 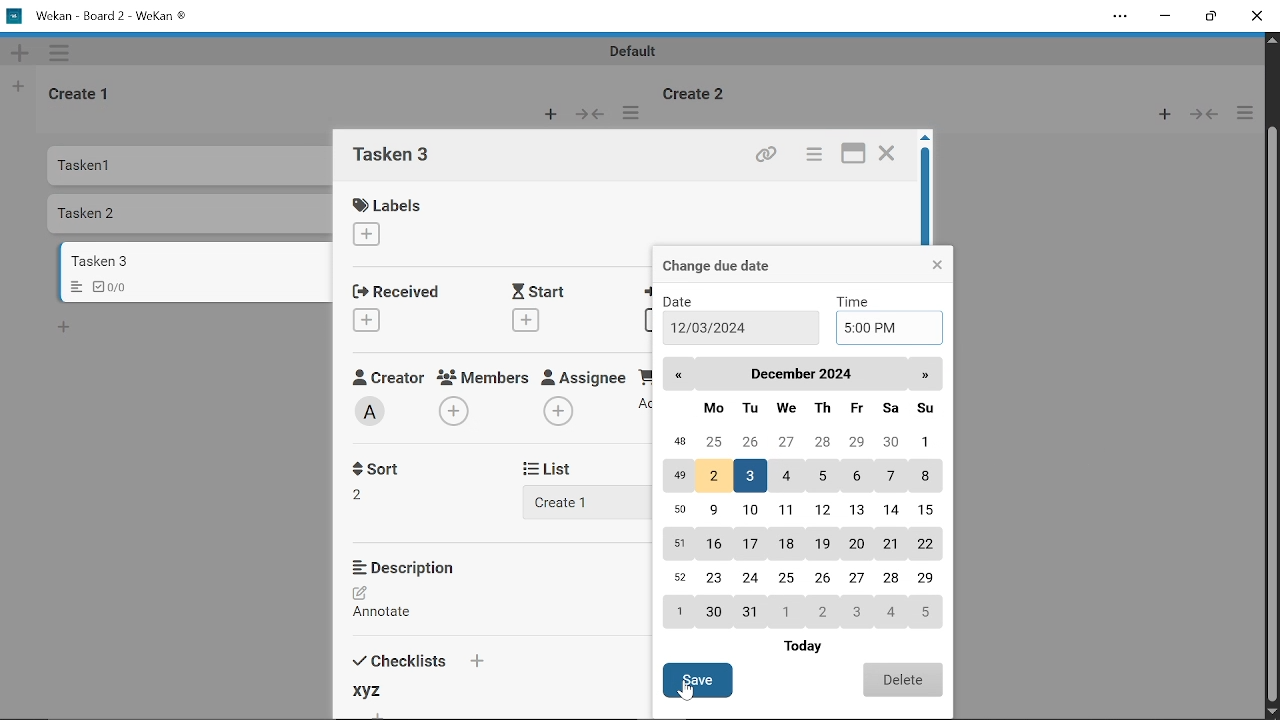 What do you see at coordinates (1258, 17) in the screenshot?
I see `Close` at bounding box center [1258, 17].